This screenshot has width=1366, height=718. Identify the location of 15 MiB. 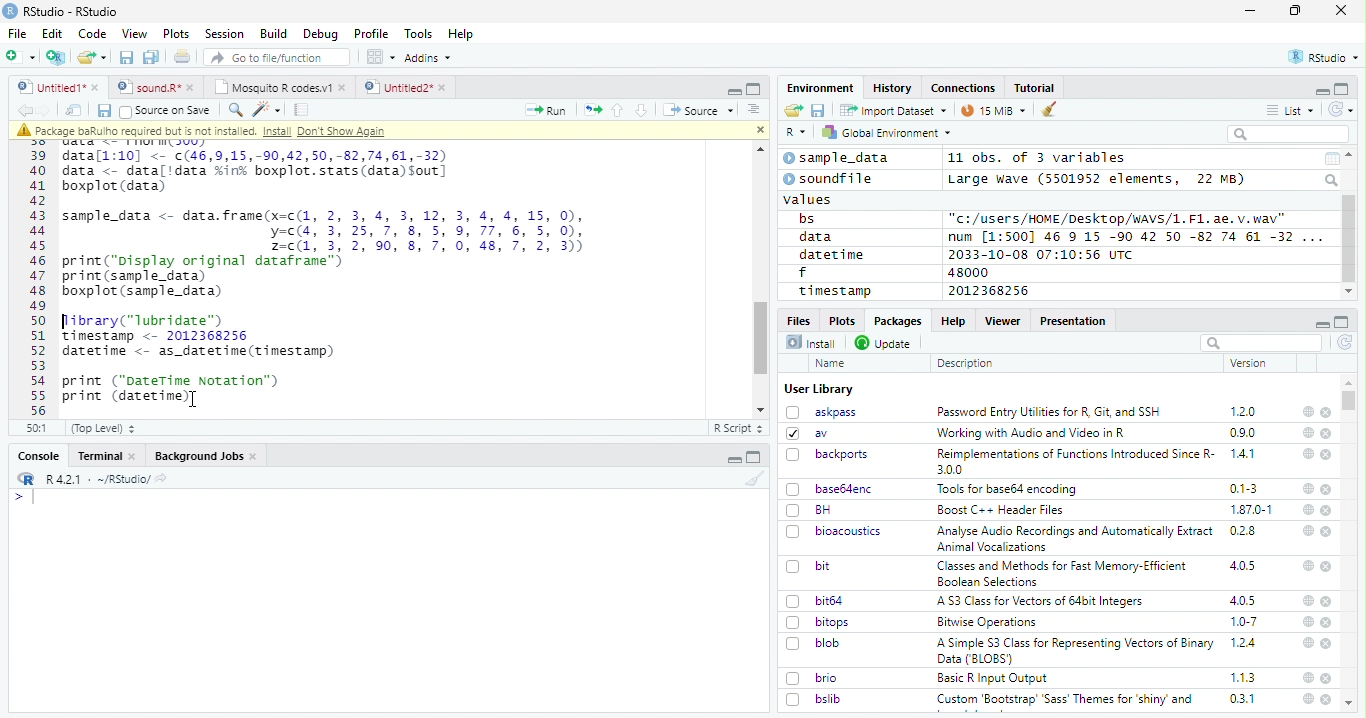
(994, 110).